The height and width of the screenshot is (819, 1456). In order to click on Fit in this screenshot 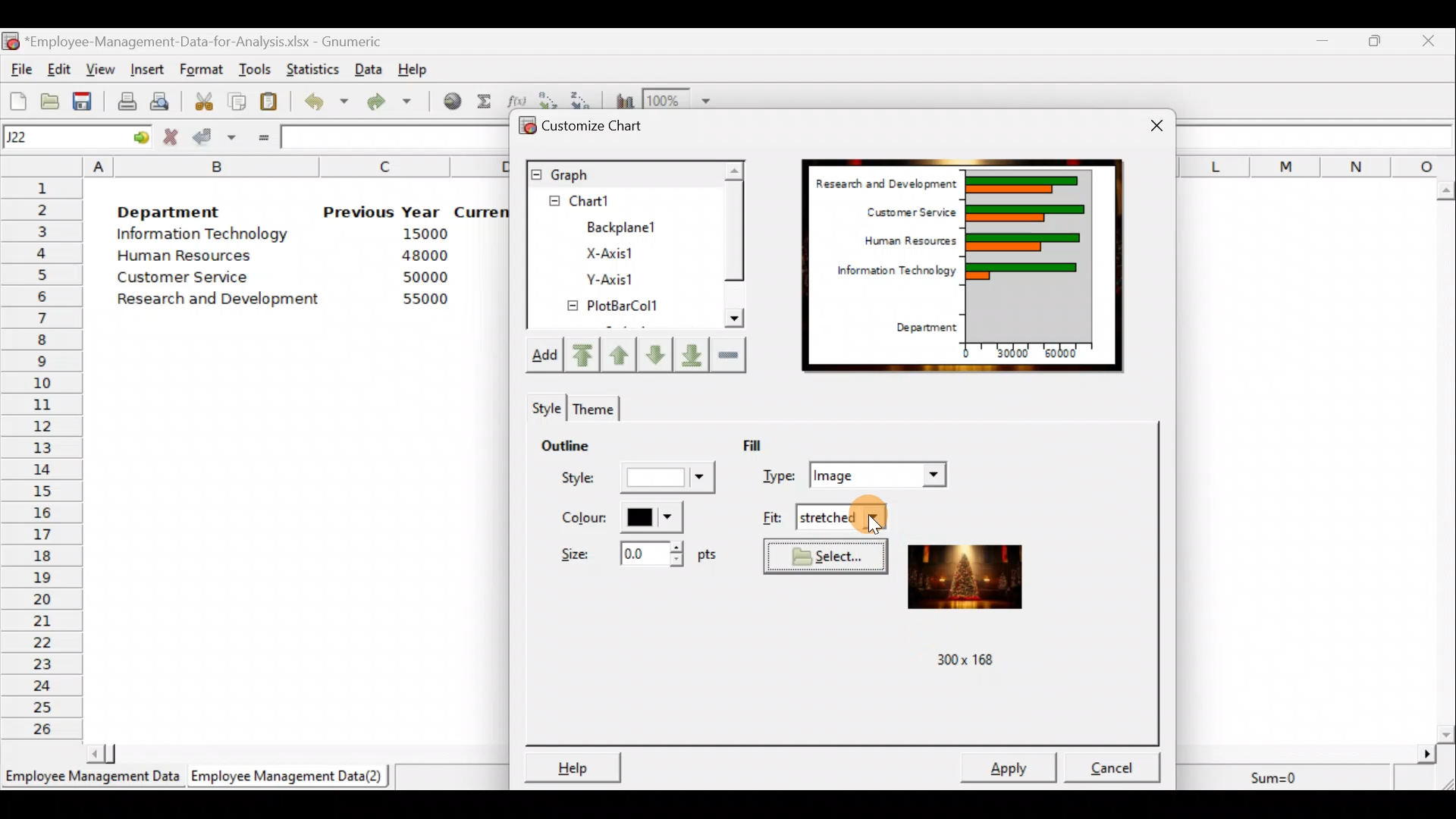, I will do `click(818, 516)`.